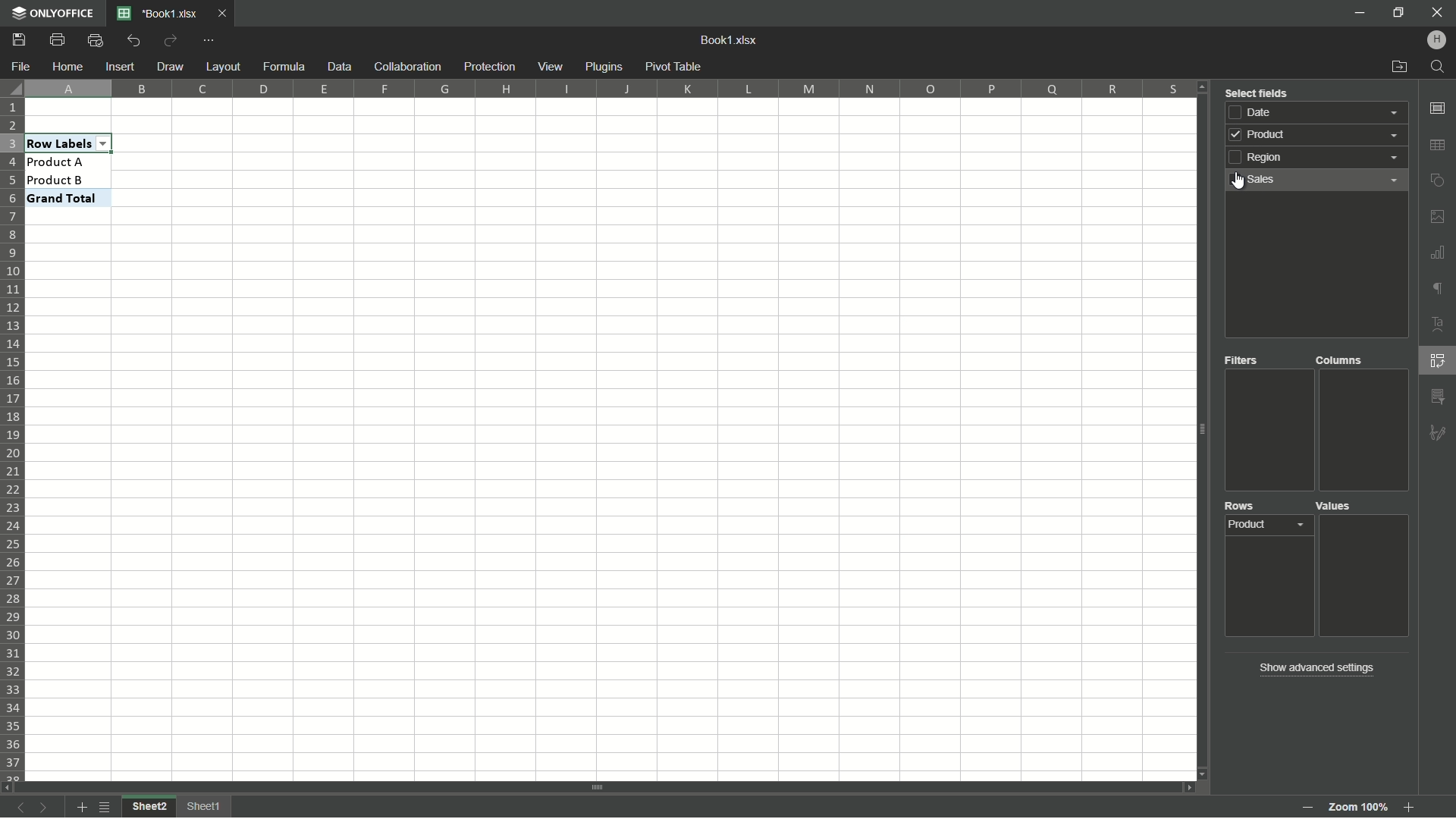 The width and height of the screenshot is (1456, 819). What do you see at coordinates (1320, 112) in the screenshot?
I see `Date` at bounding box center [1320, 112].